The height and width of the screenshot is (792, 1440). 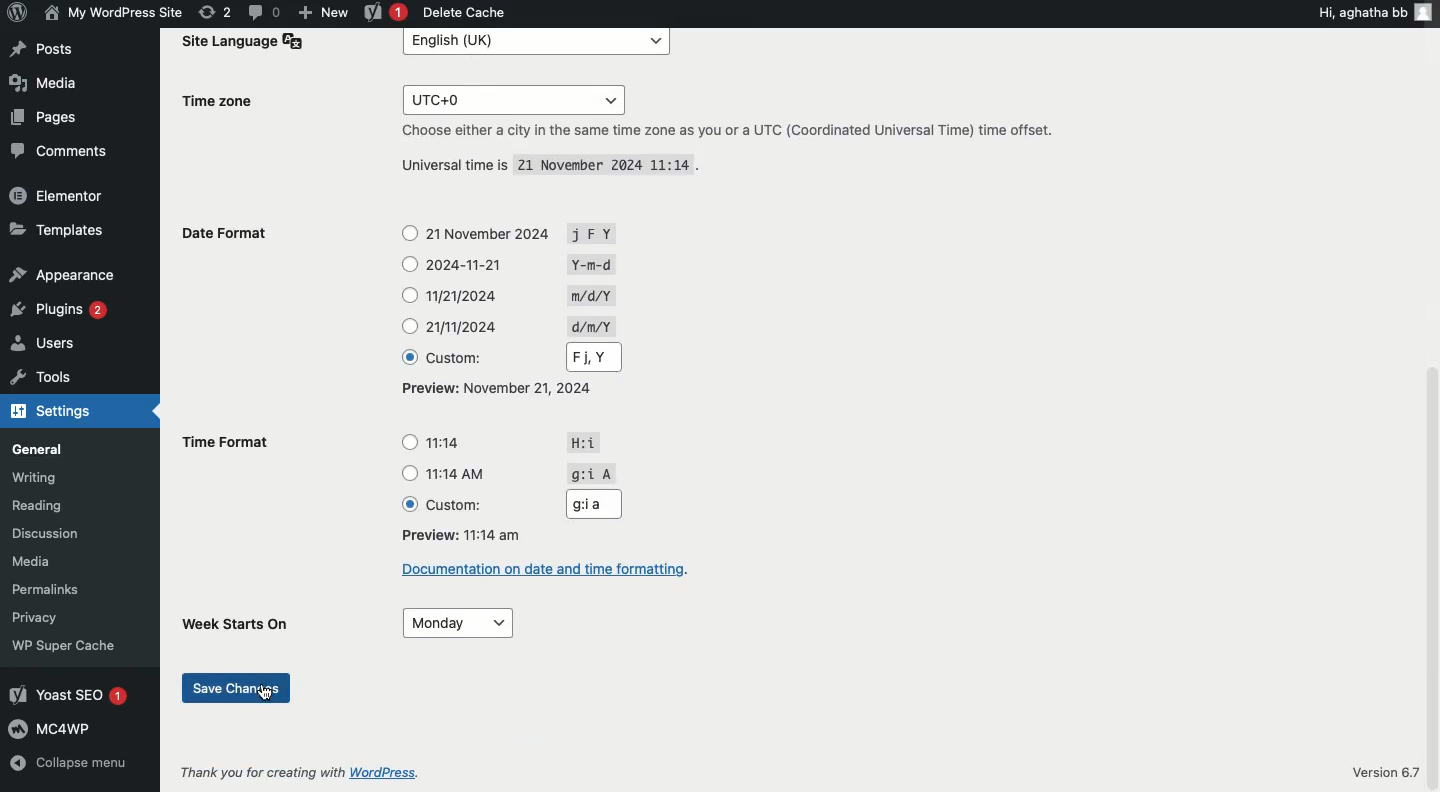 What do you see at coordinates (47, 590) in the screenshot?
I see `Permalinks` at bounding box center [47, 590].